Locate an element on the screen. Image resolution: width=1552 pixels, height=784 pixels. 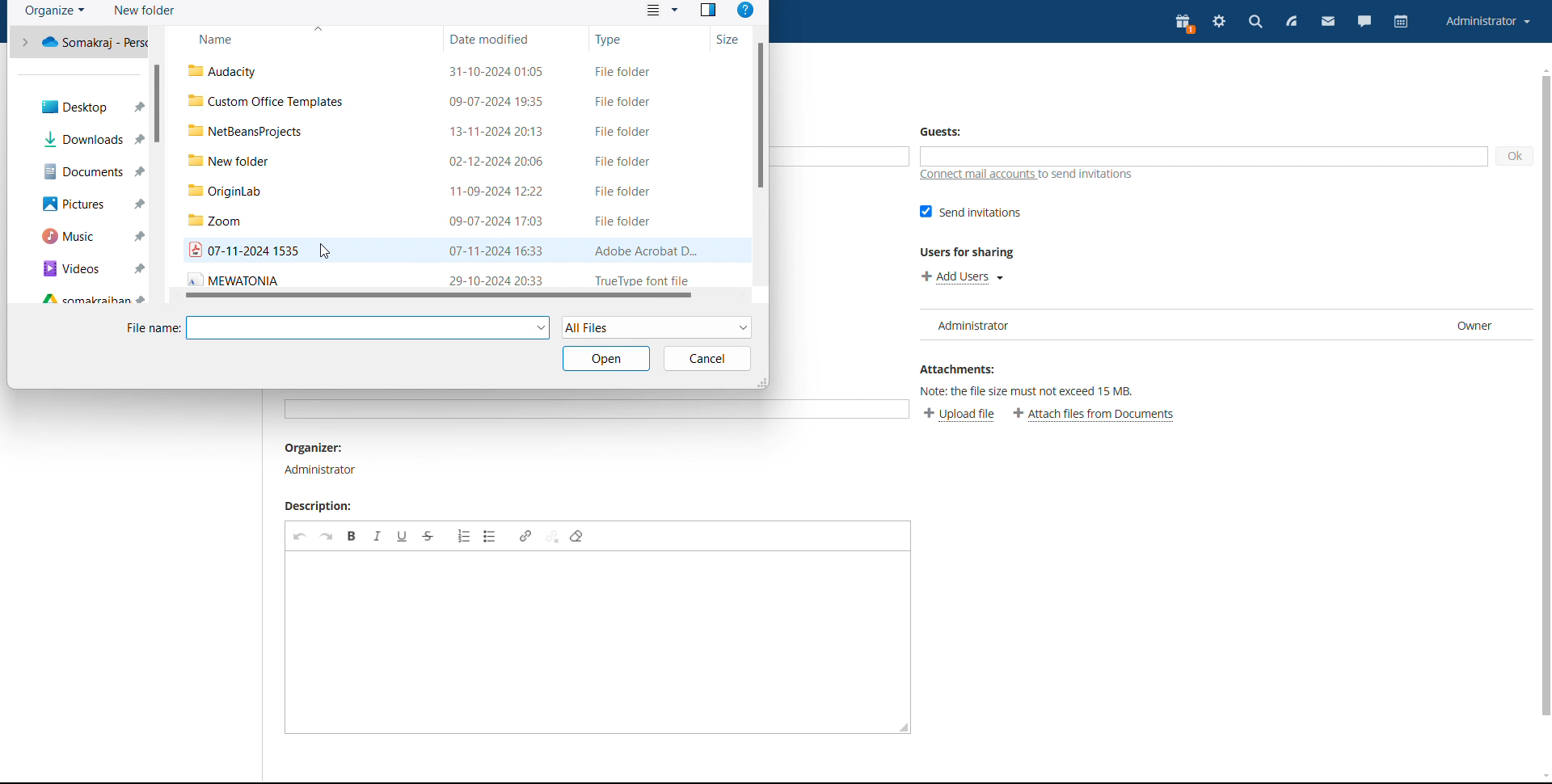
send invitations is located at coordinates (969, 213).